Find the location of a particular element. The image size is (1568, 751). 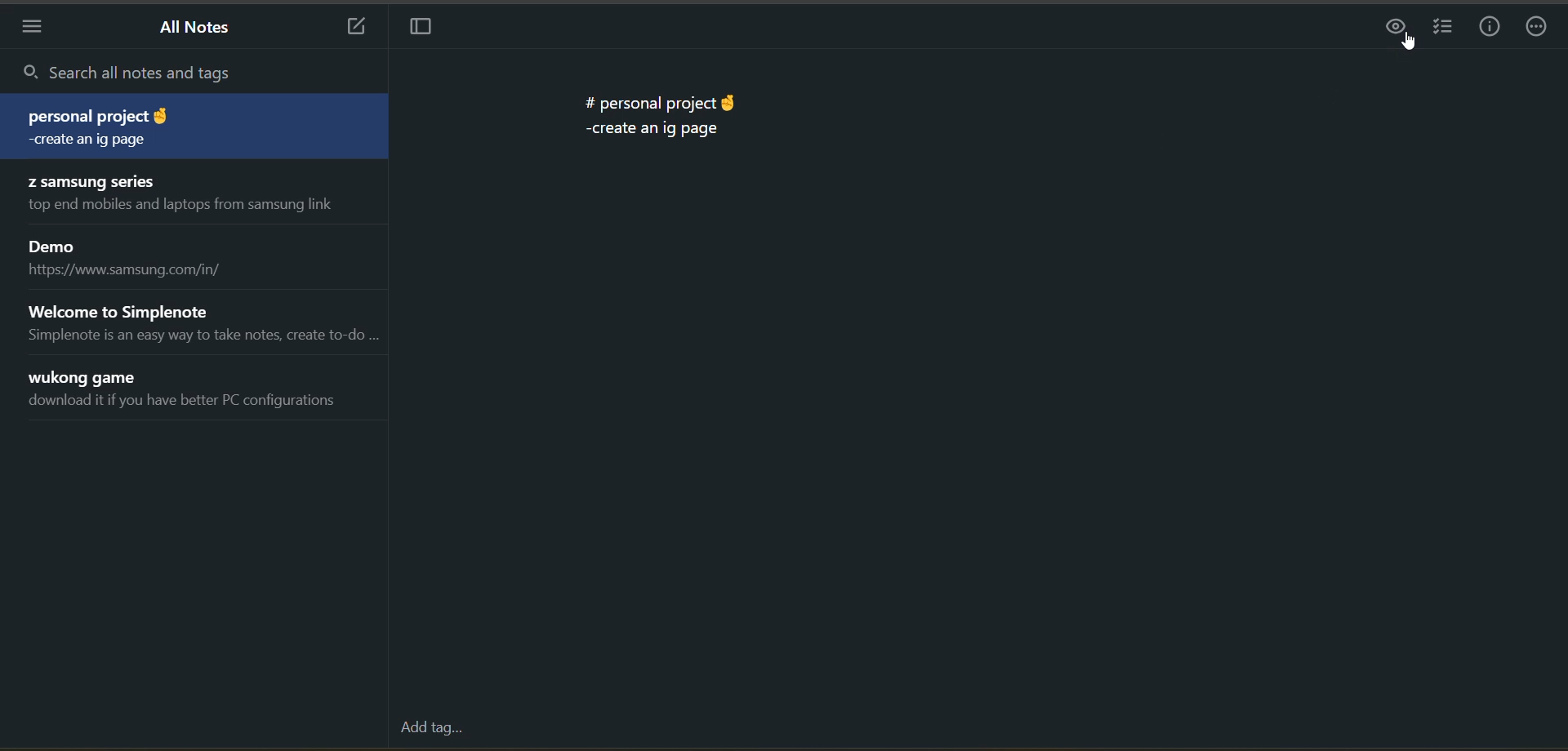

search is located at coordinates (191, 71).